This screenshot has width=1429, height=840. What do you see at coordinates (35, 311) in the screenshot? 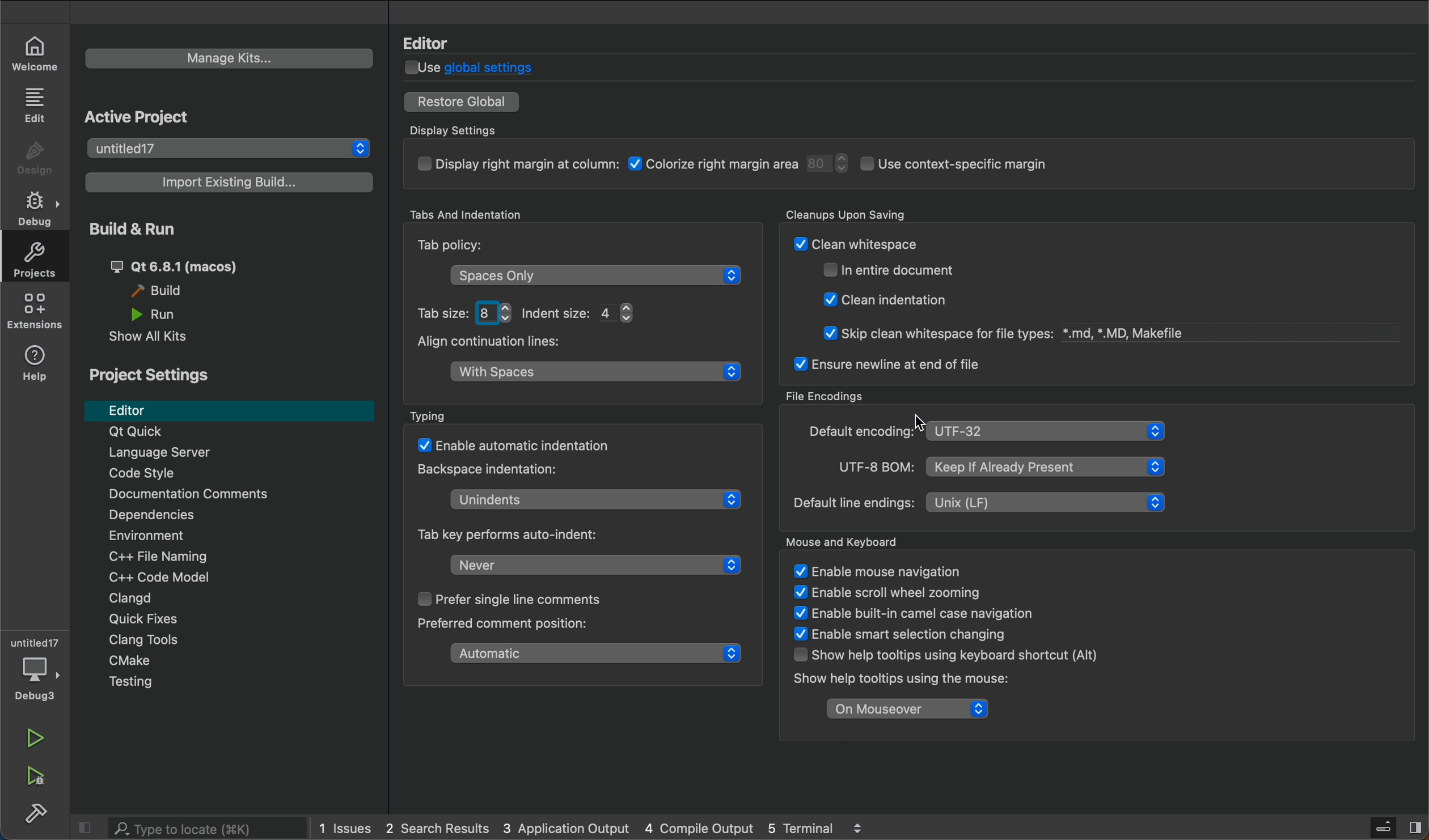
I see `extension` at bounding box center [35, 311].